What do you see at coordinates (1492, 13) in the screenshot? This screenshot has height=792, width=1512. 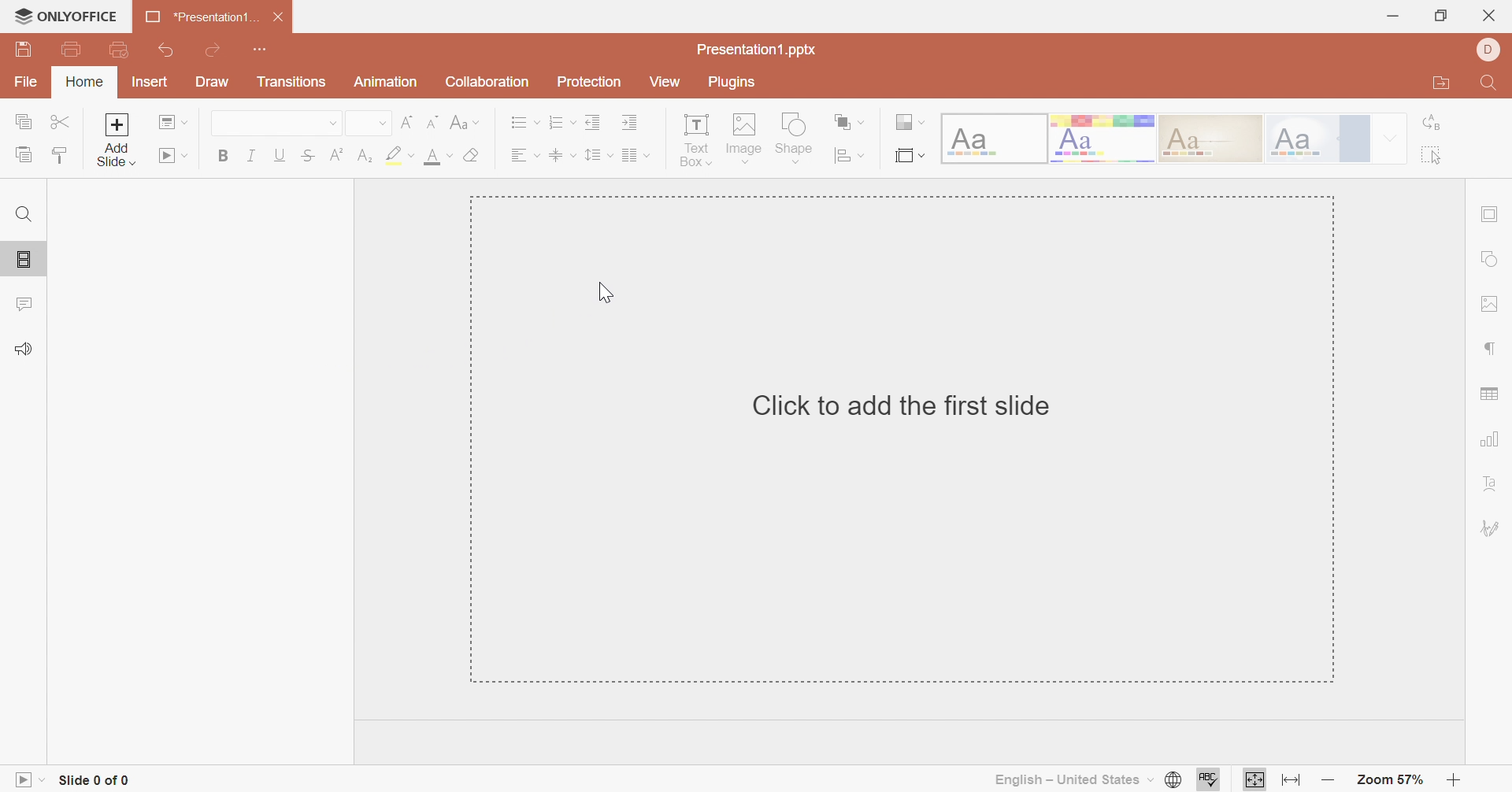 I see `close` at bounding box center [1492, 13].